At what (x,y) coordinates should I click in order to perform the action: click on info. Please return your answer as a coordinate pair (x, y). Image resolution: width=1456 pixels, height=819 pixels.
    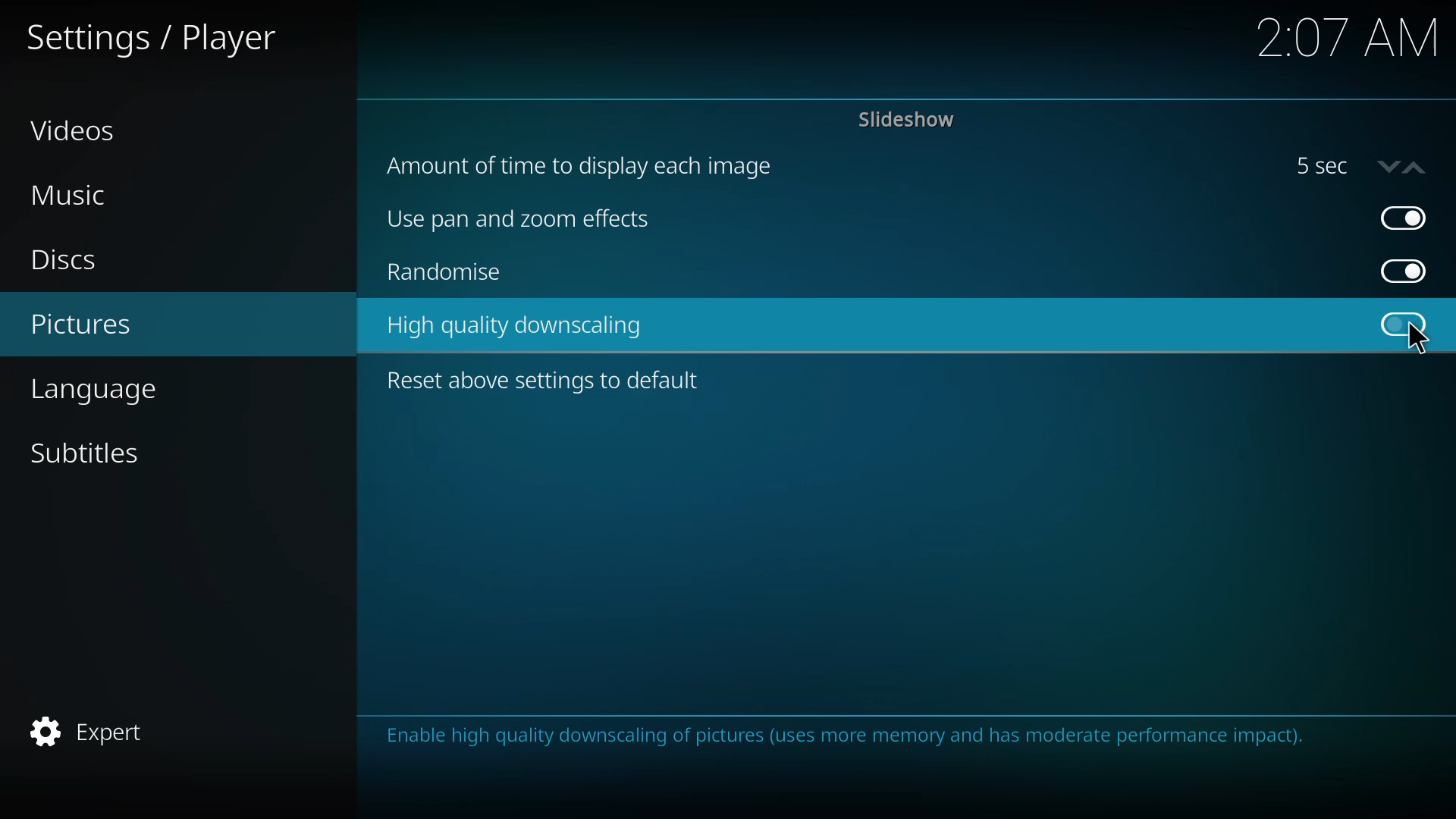
    Looking at the image, I should click on (858, 738).